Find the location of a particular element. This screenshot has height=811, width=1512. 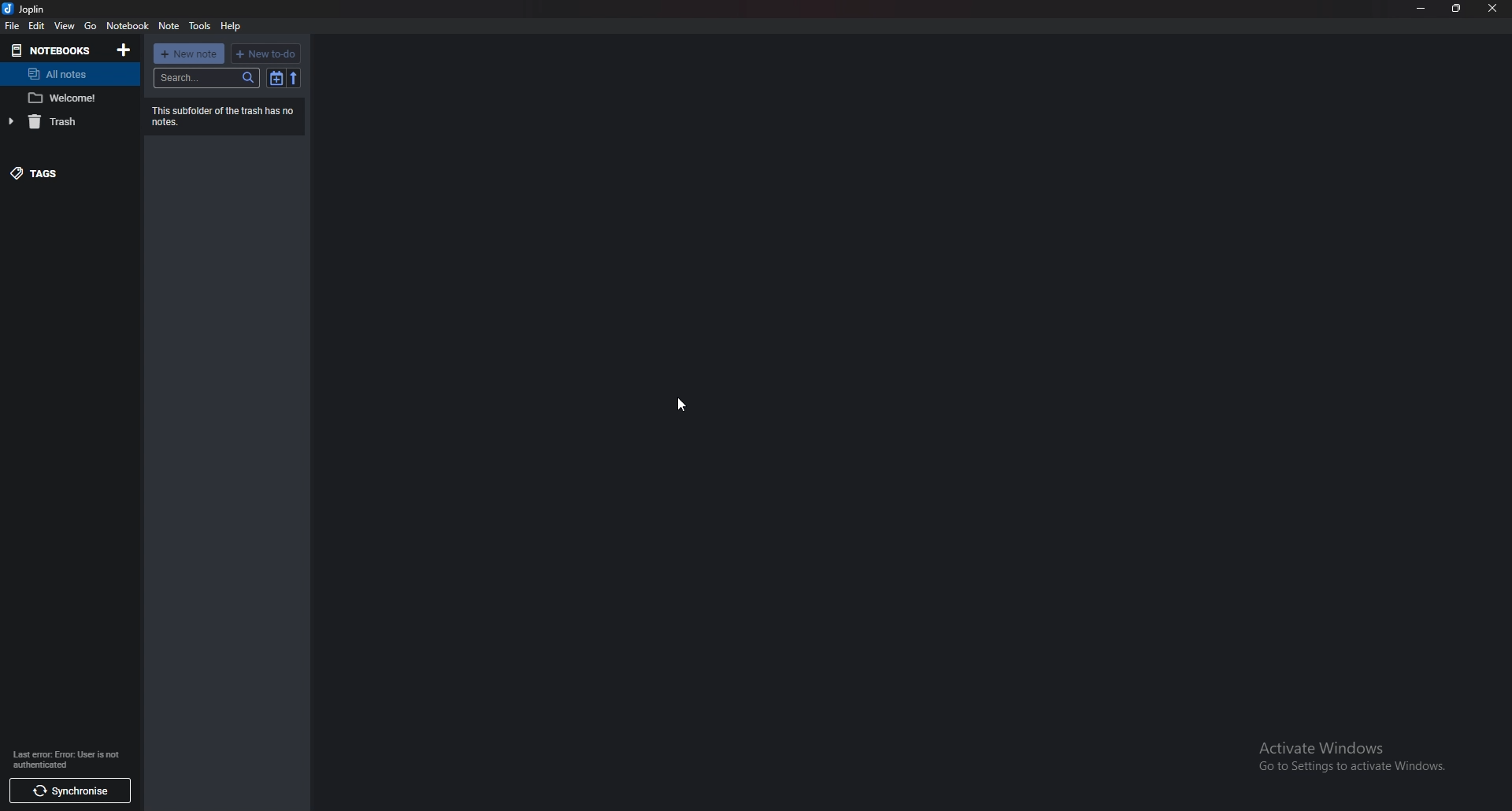

reverse sort order is located at coordinates (295, 78).